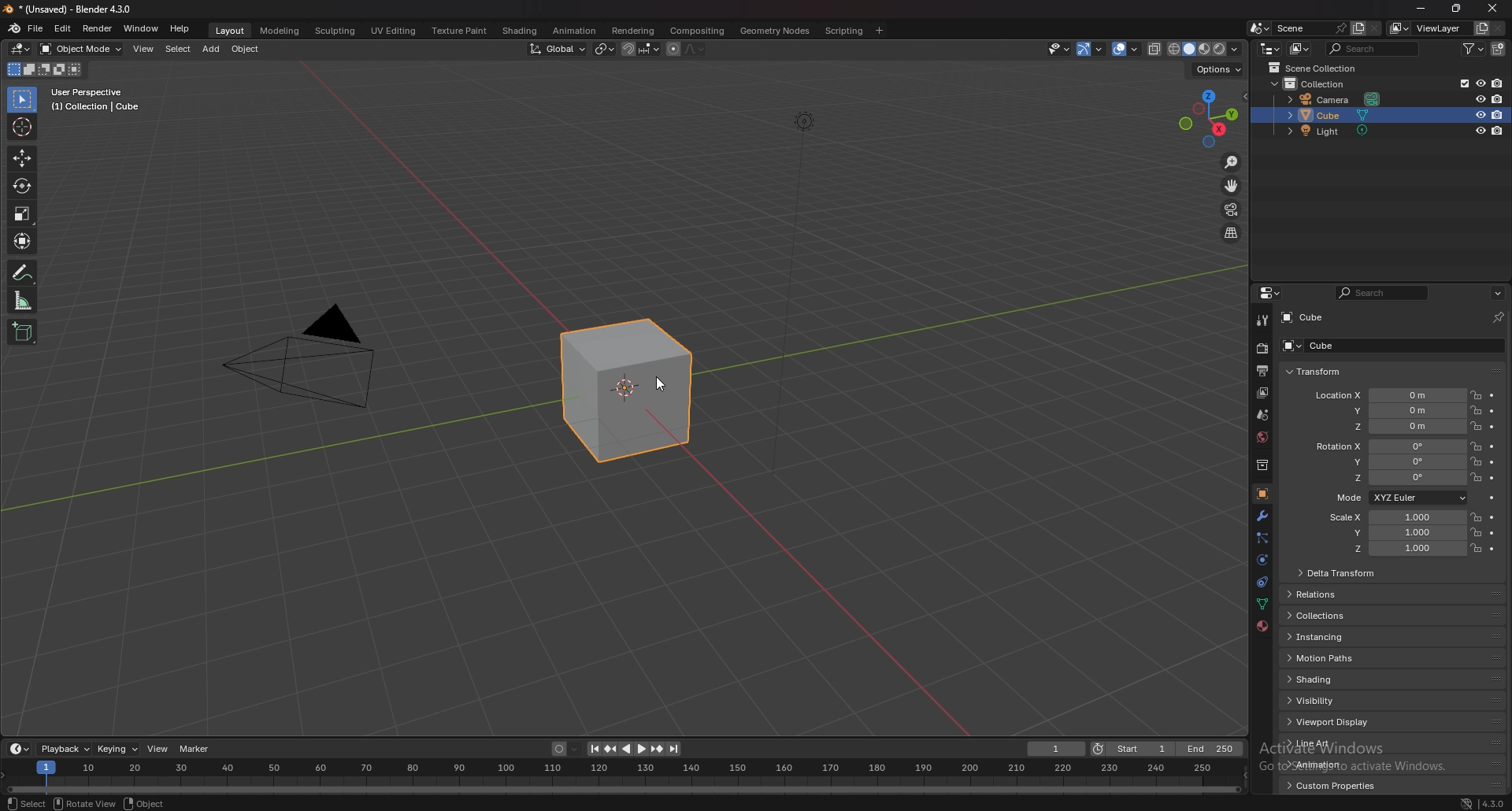 The height and width of the screenshot is (811, 1512). Describe the element at coordinates (1204, 49) in the screenshot. I see `viewport shading` at that location.